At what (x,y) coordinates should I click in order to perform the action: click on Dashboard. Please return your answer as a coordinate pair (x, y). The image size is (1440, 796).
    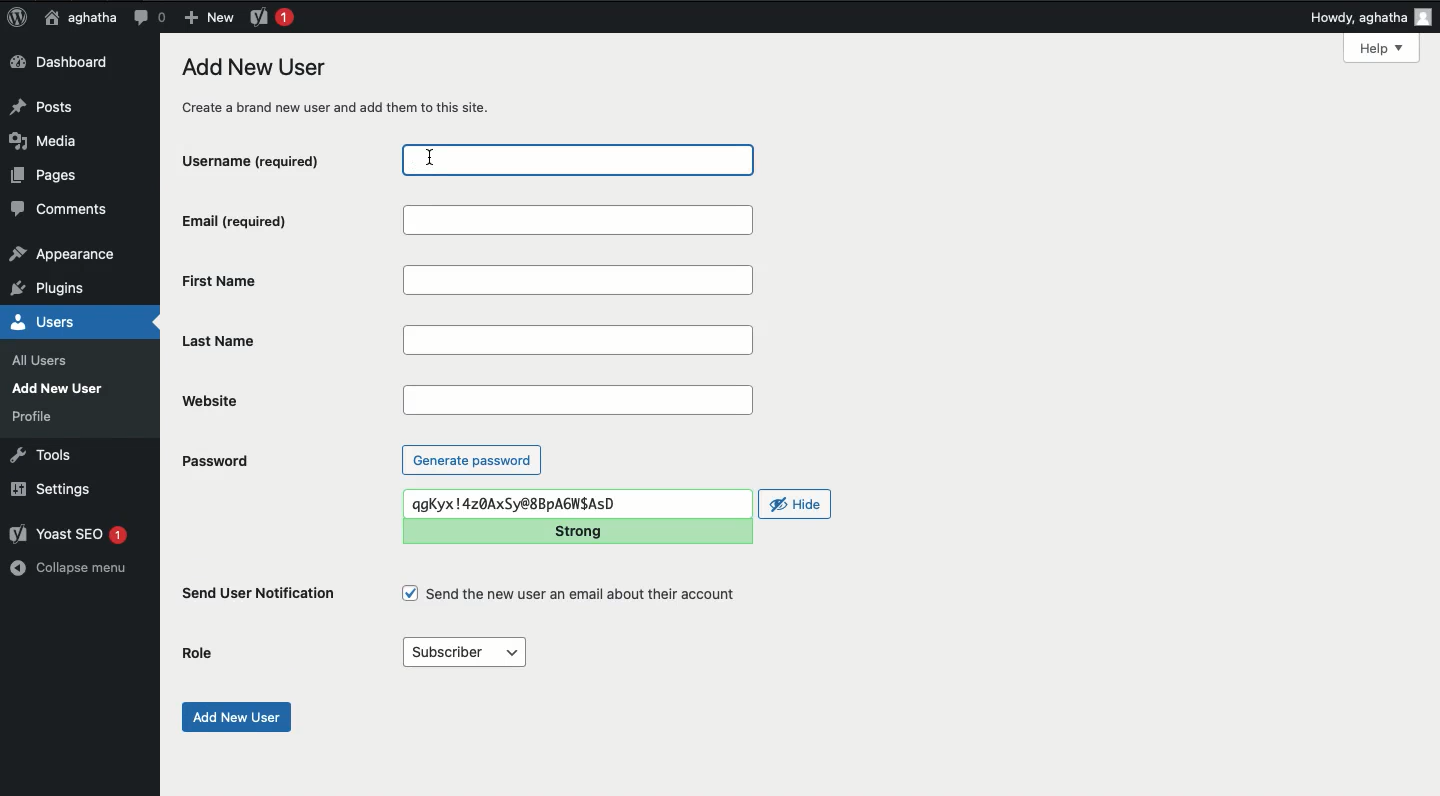
    Looking at the image, I should click on (65, 63).